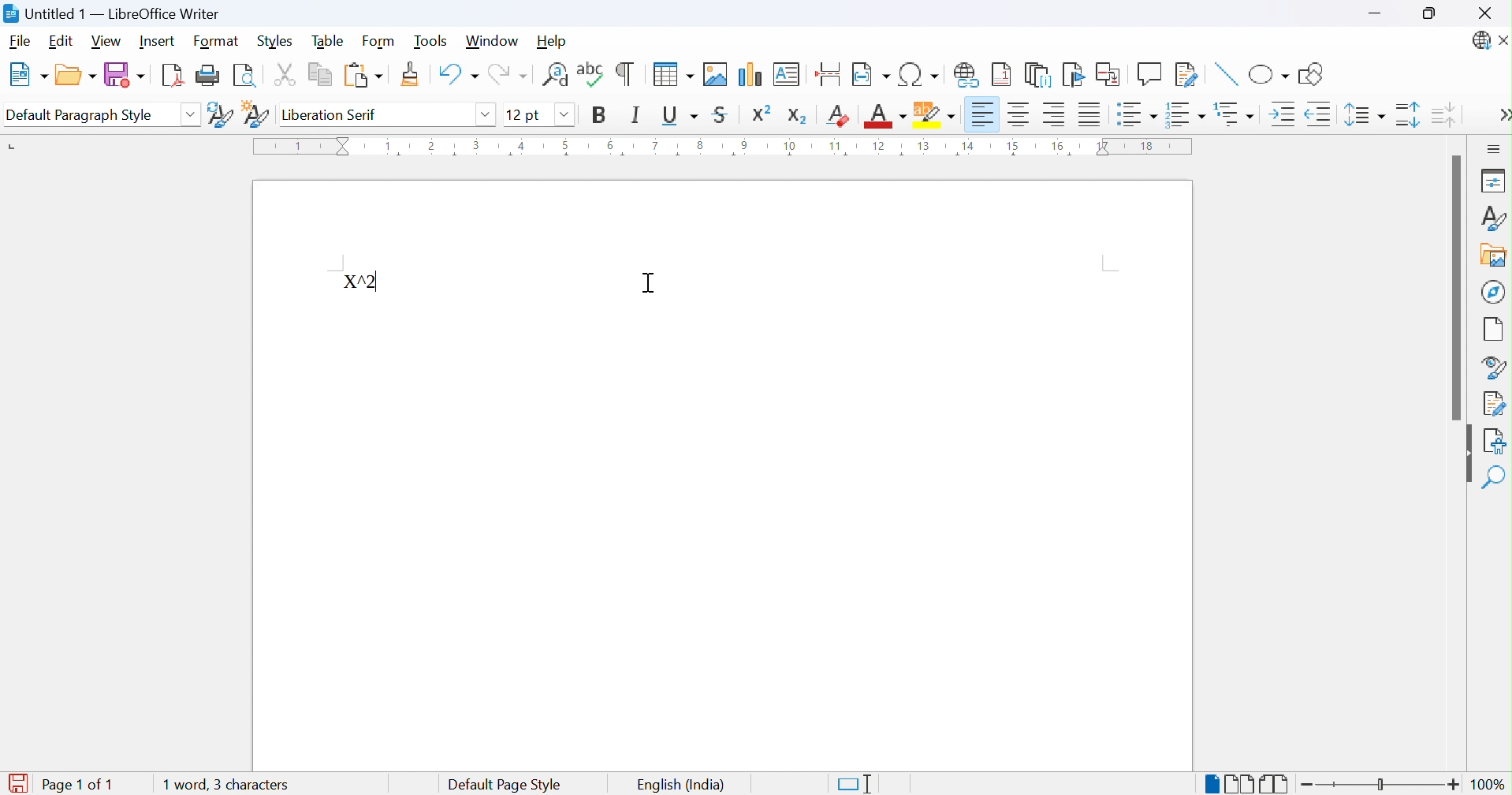  Describe the element at coordinates (76, 72) in the screenshot. I see `Open` at that location.